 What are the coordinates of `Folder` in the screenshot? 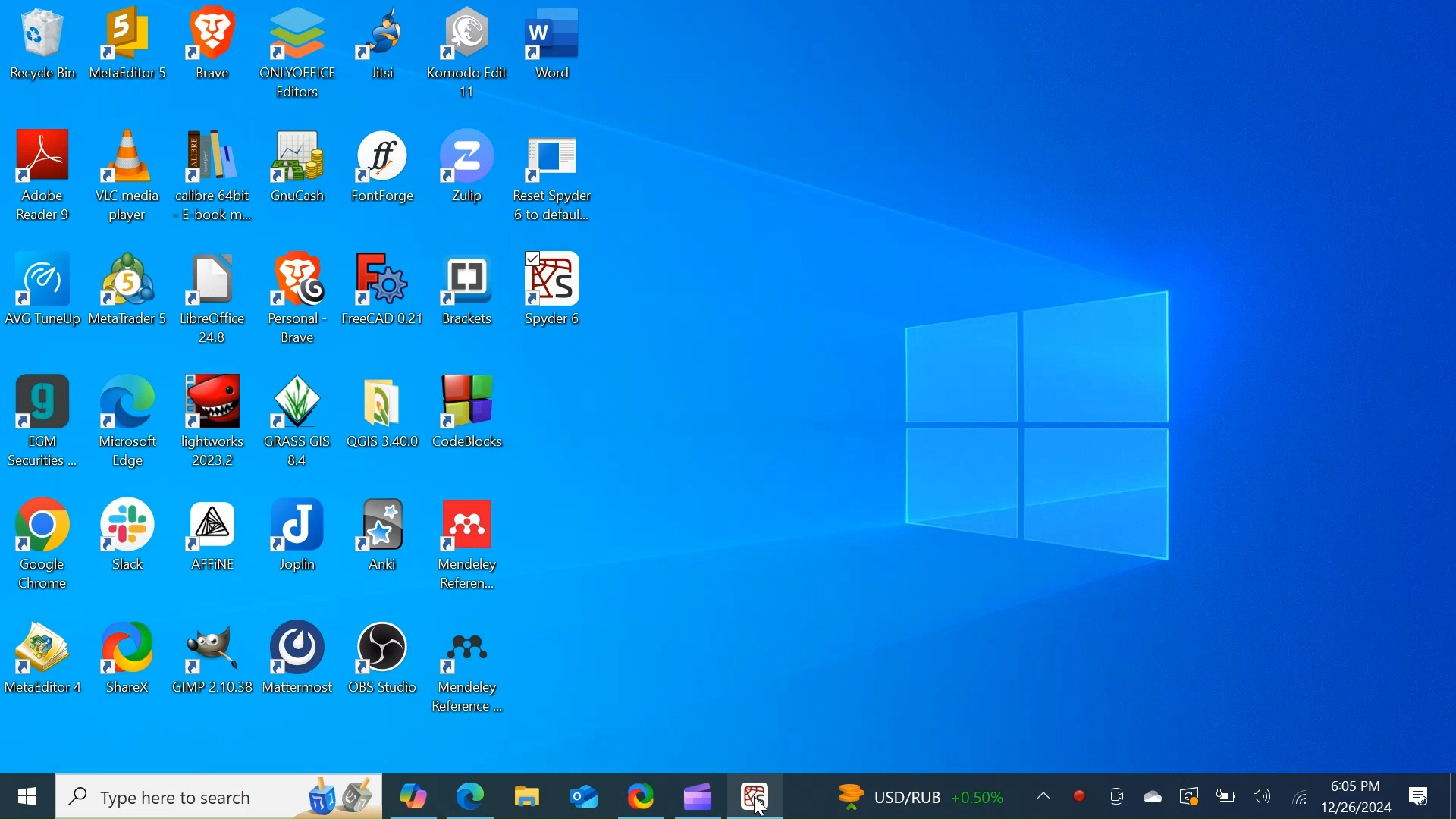 It's located at (388, 426).